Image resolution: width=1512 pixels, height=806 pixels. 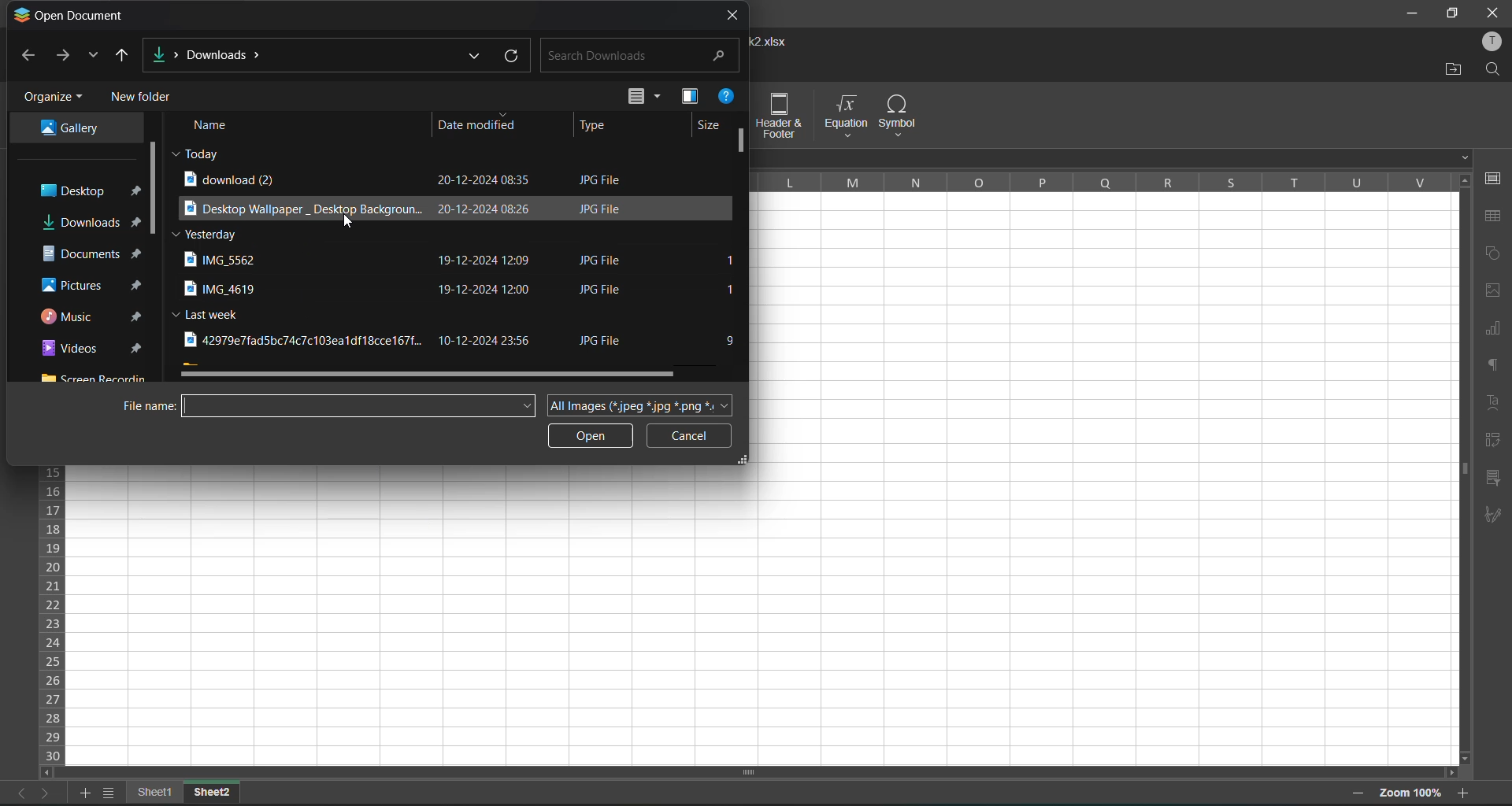 I want to click on header and footer, so click(x=785, y=116).